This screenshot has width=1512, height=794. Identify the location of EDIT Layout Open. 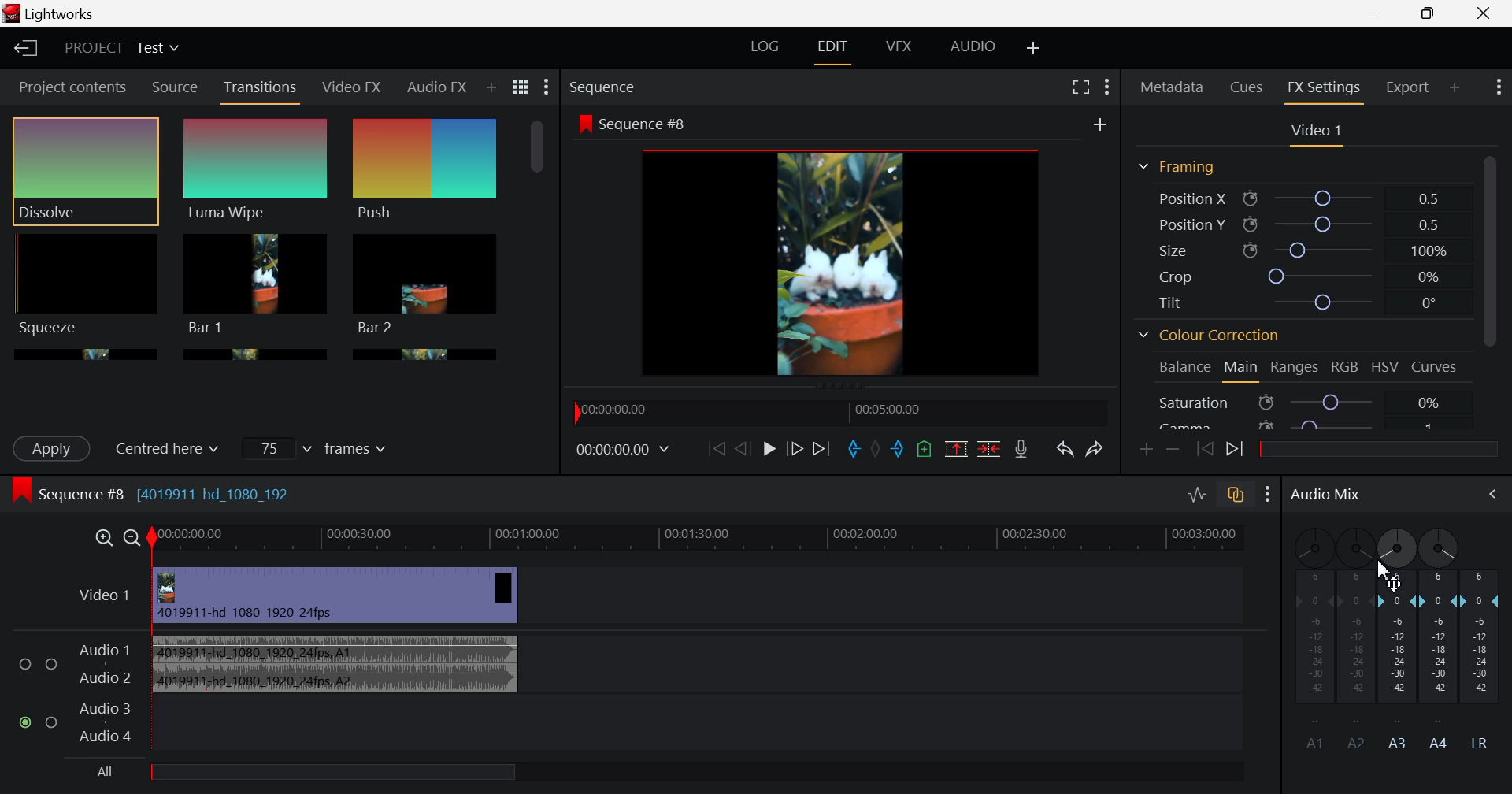
(831, 50).